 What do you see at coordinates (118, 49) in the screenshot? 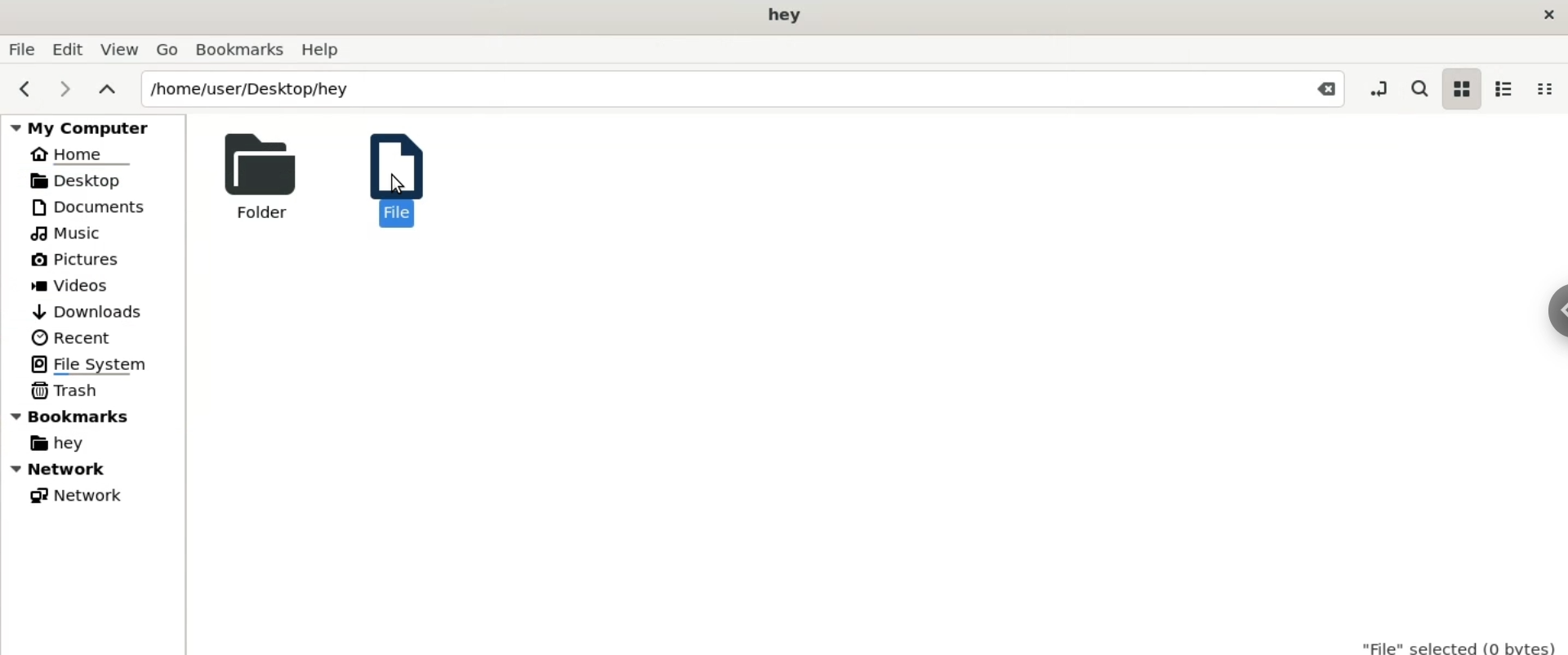
I see `view` at bounding box center [118, 49].